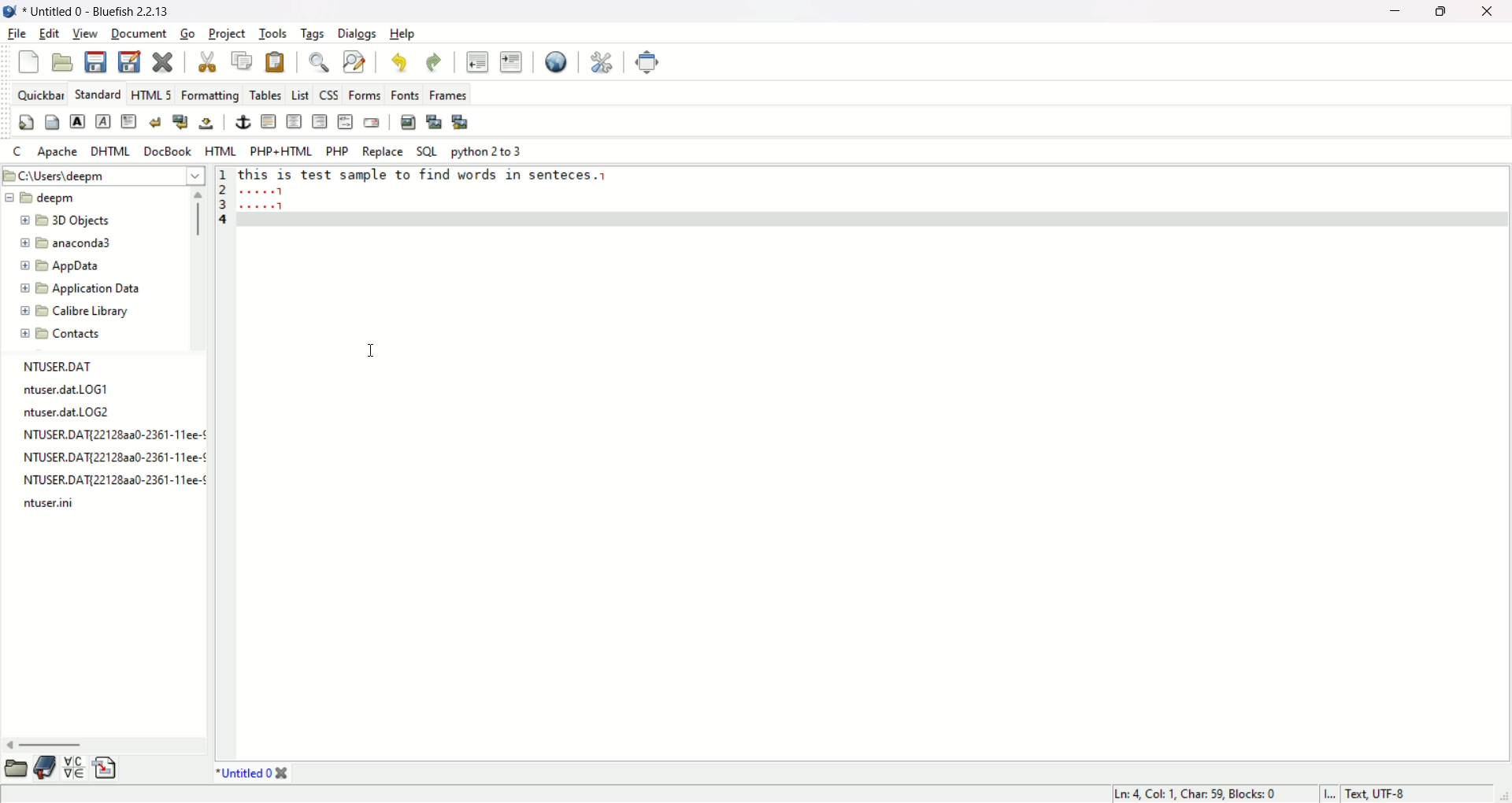 This screenshot has width=1512, height=803. What do you see at coordinates (62, 61) in the screenshot?
I see `open file` at bounding box center [62, 61].